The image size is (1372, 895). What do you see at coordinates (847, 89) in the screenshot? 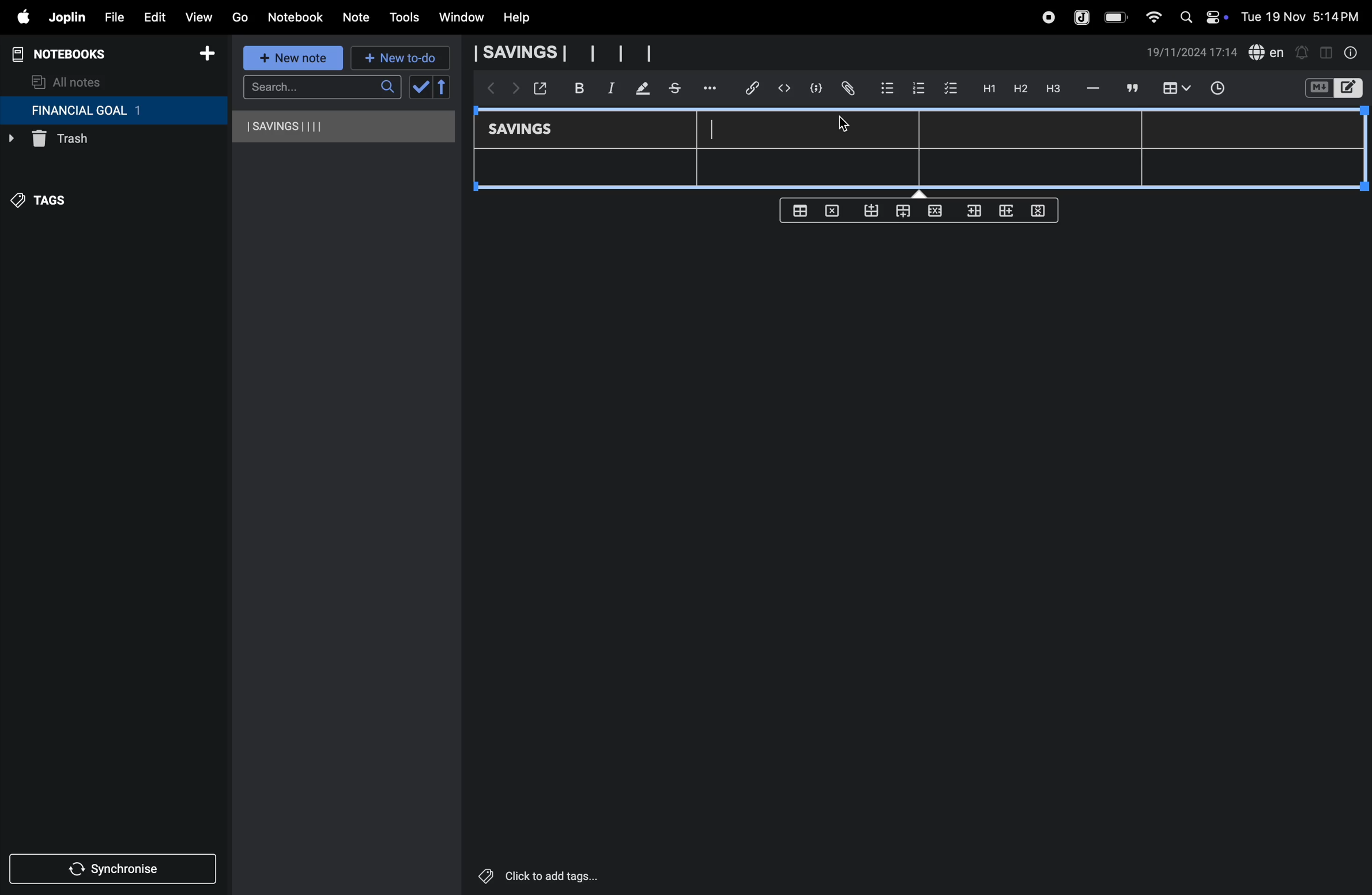
I see `attach file` at bounding box center [847, 89].